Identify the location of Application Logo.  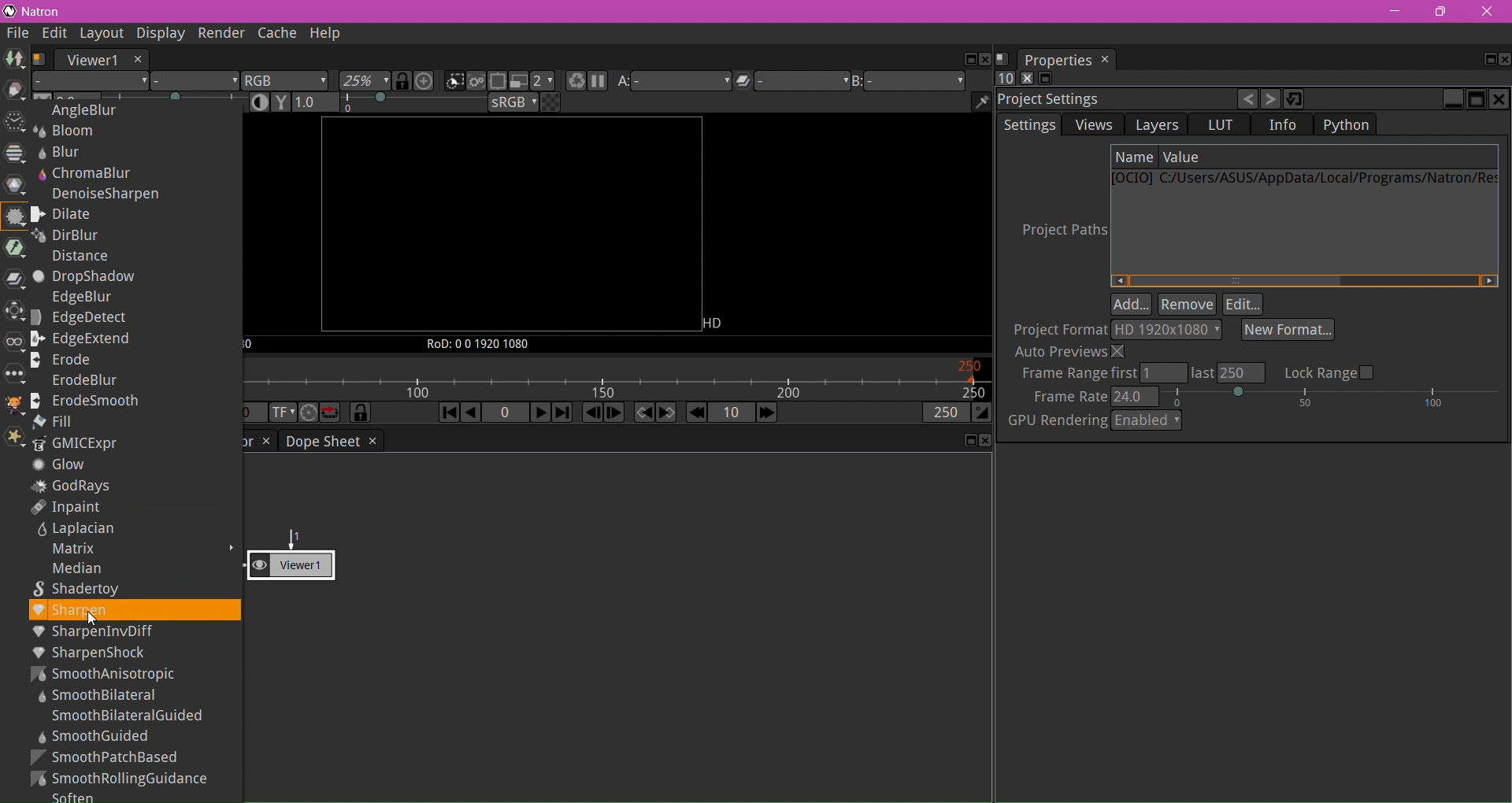
(9, 12).